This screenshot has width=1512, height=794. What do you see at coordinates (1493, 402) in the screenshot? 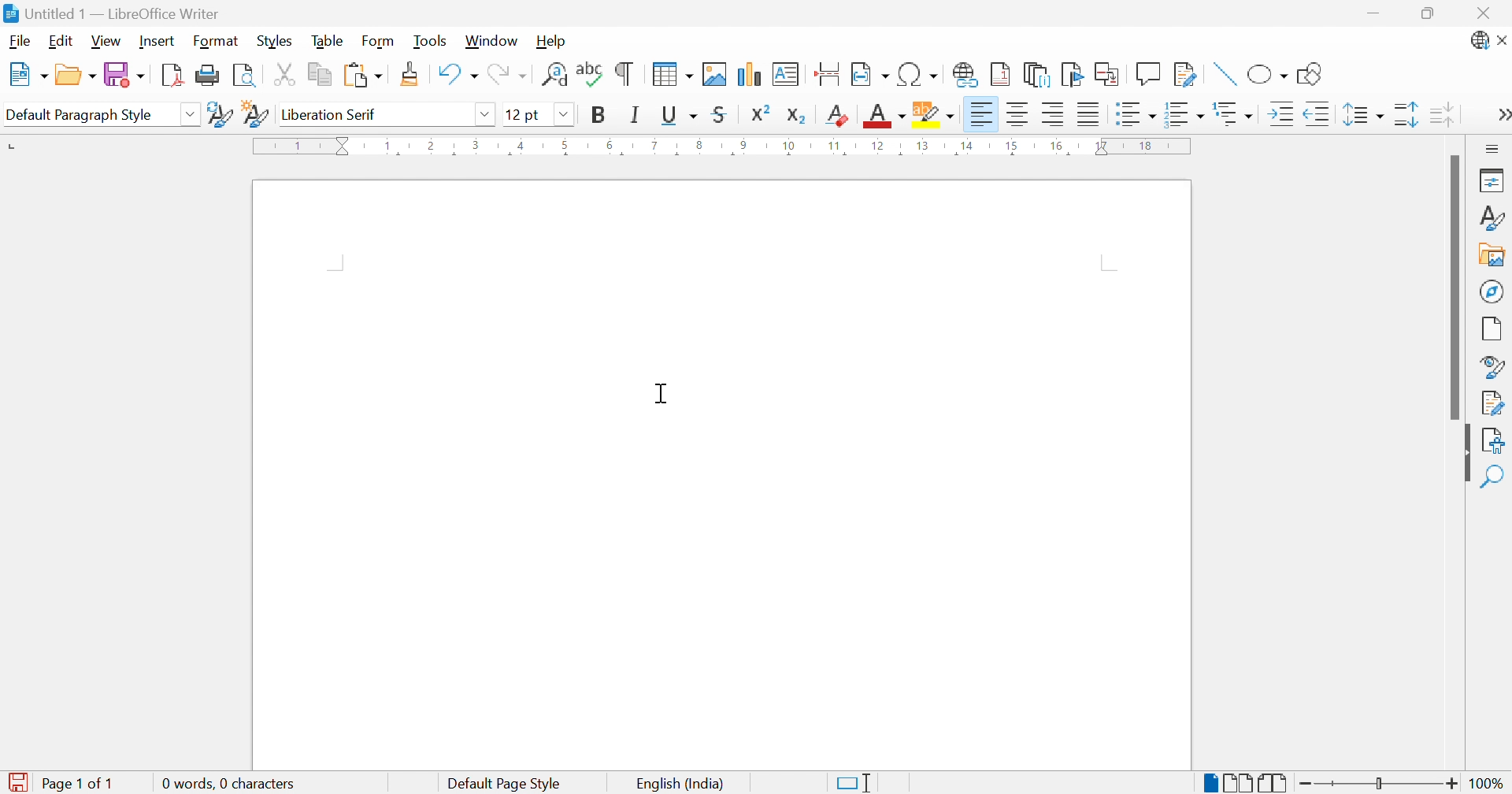
I see `Manage check` at bounding box center [1493, 402].